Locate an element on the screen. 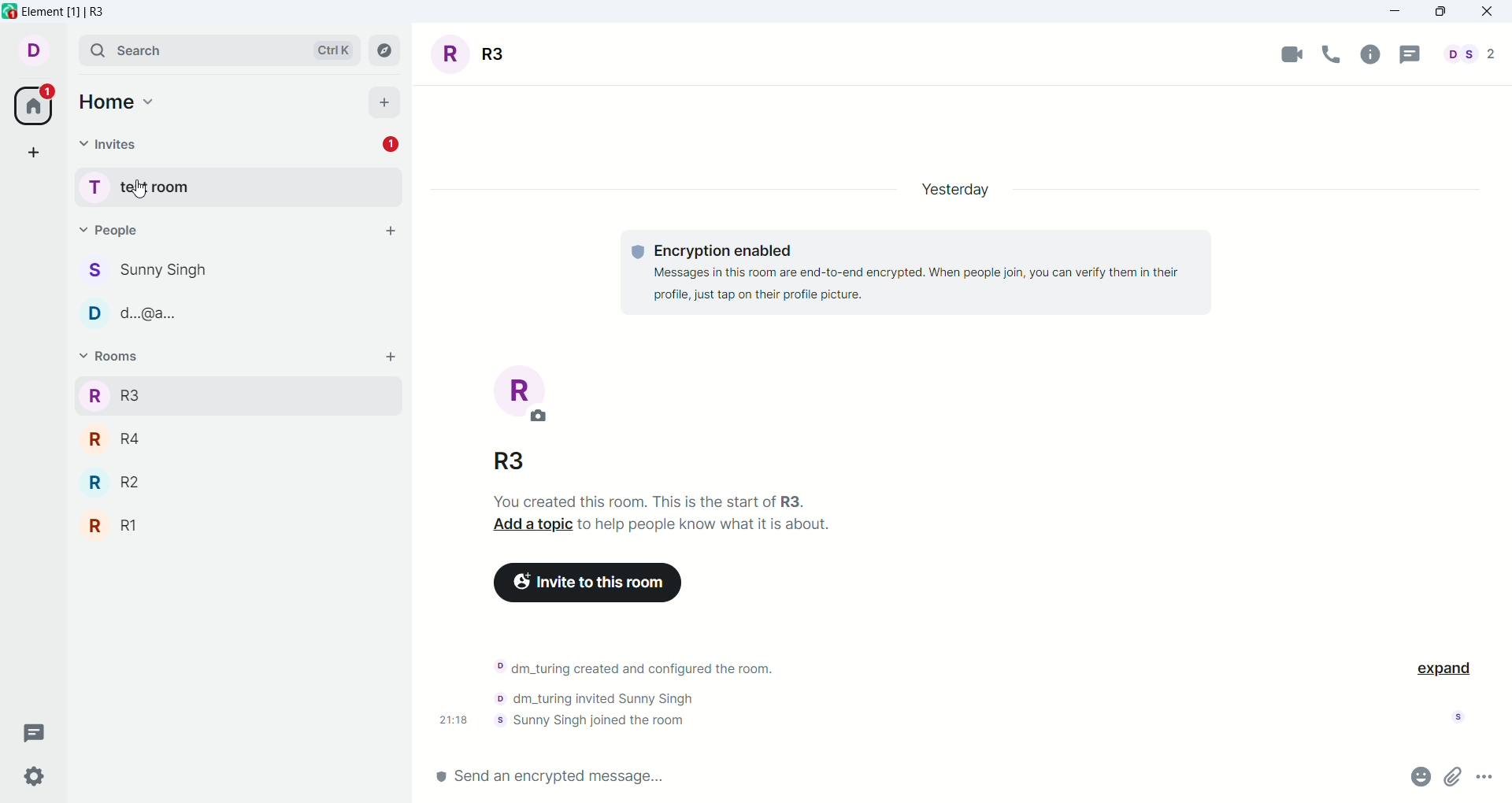 This screenshot has height=803, width=1512. R2 is located at coordinates (235, 480).